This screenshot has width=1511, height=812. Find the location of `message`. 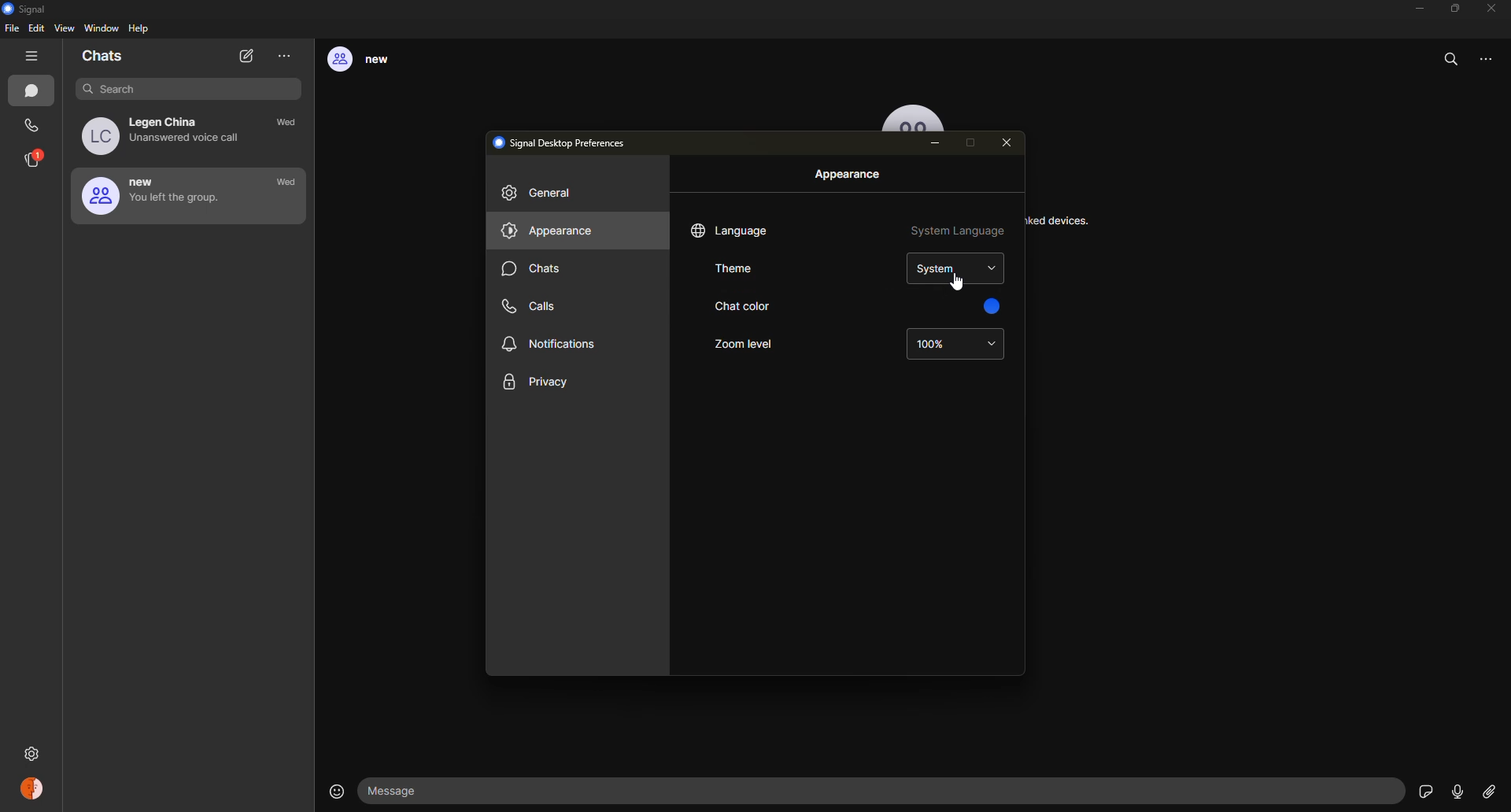

message is located at coordinates (402, 791).